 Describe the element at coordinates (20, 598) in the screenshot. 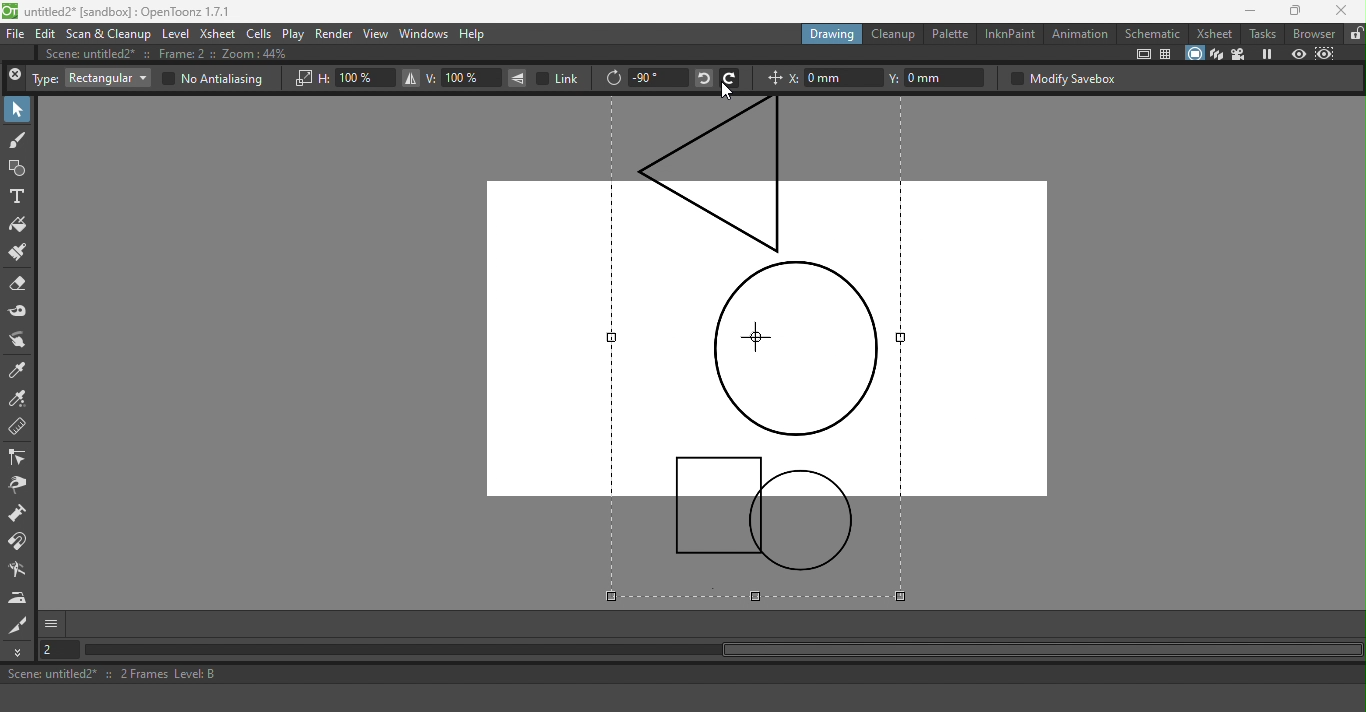

I see `Iron tool` at that location.